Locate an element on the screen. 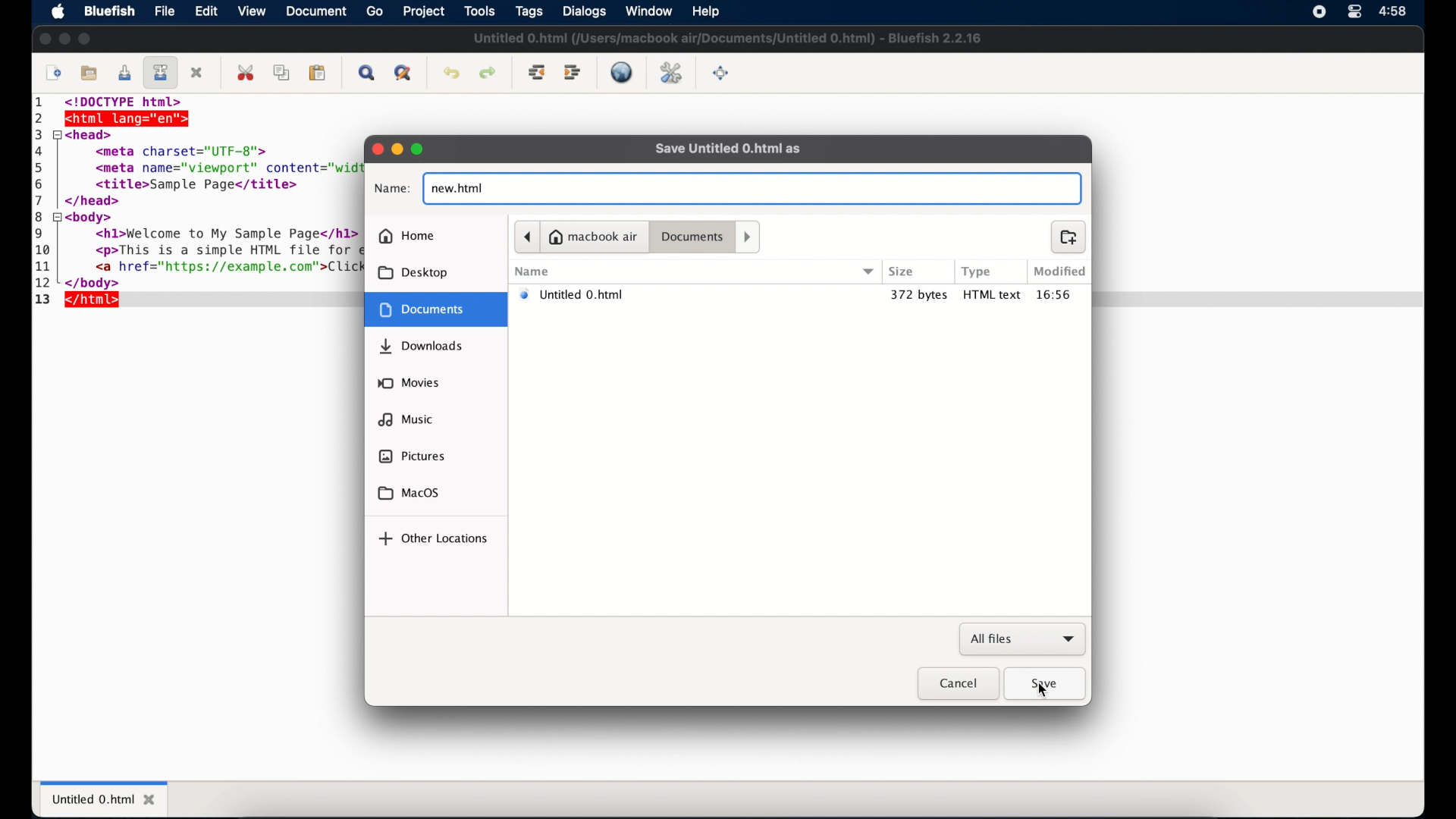 This screenshot has height=819, width=1456. close is located at coordinates (198, 73).